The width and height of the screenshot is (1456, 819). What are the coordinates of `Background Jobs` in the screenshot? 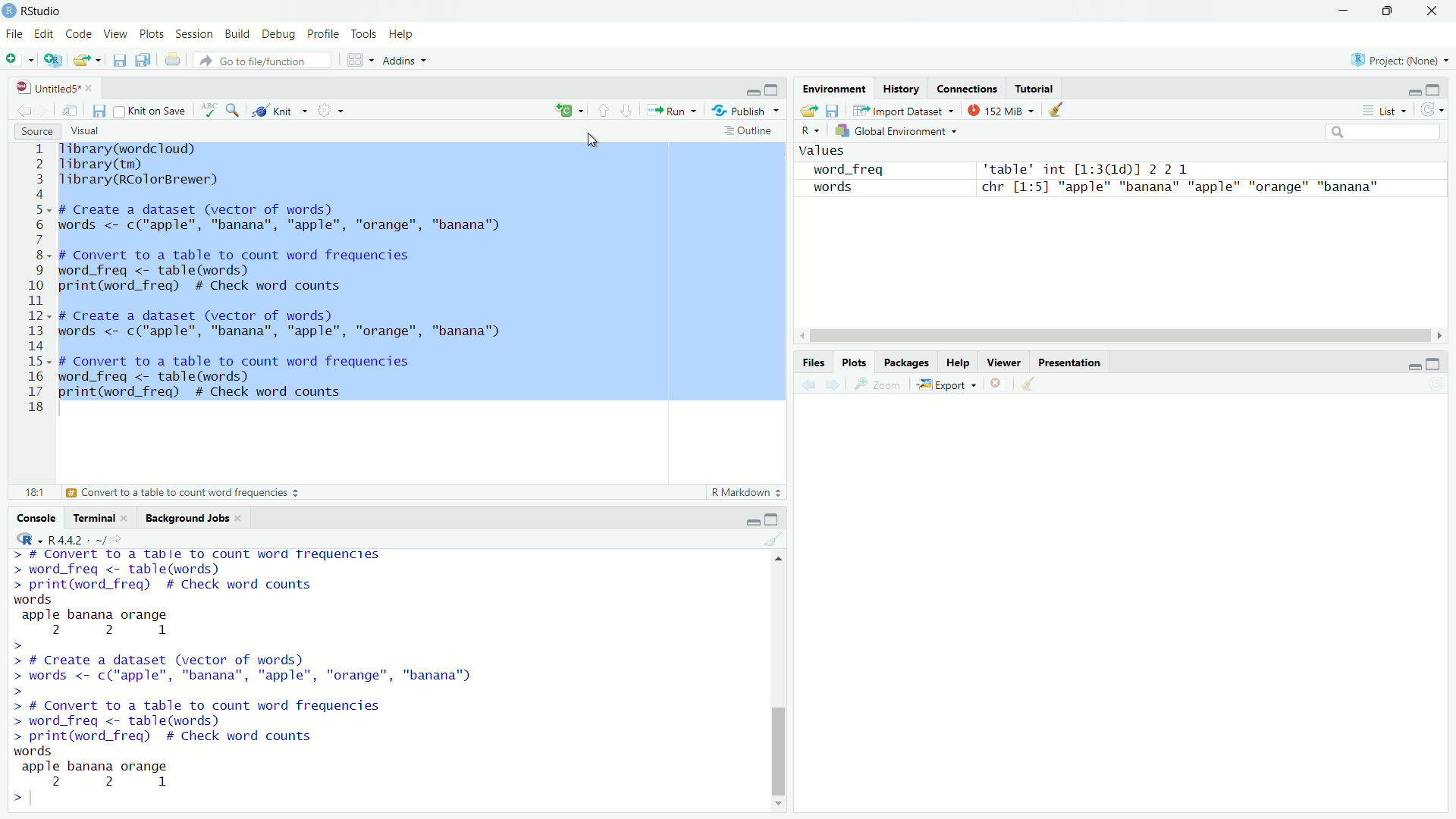 It's located at (195, 517).